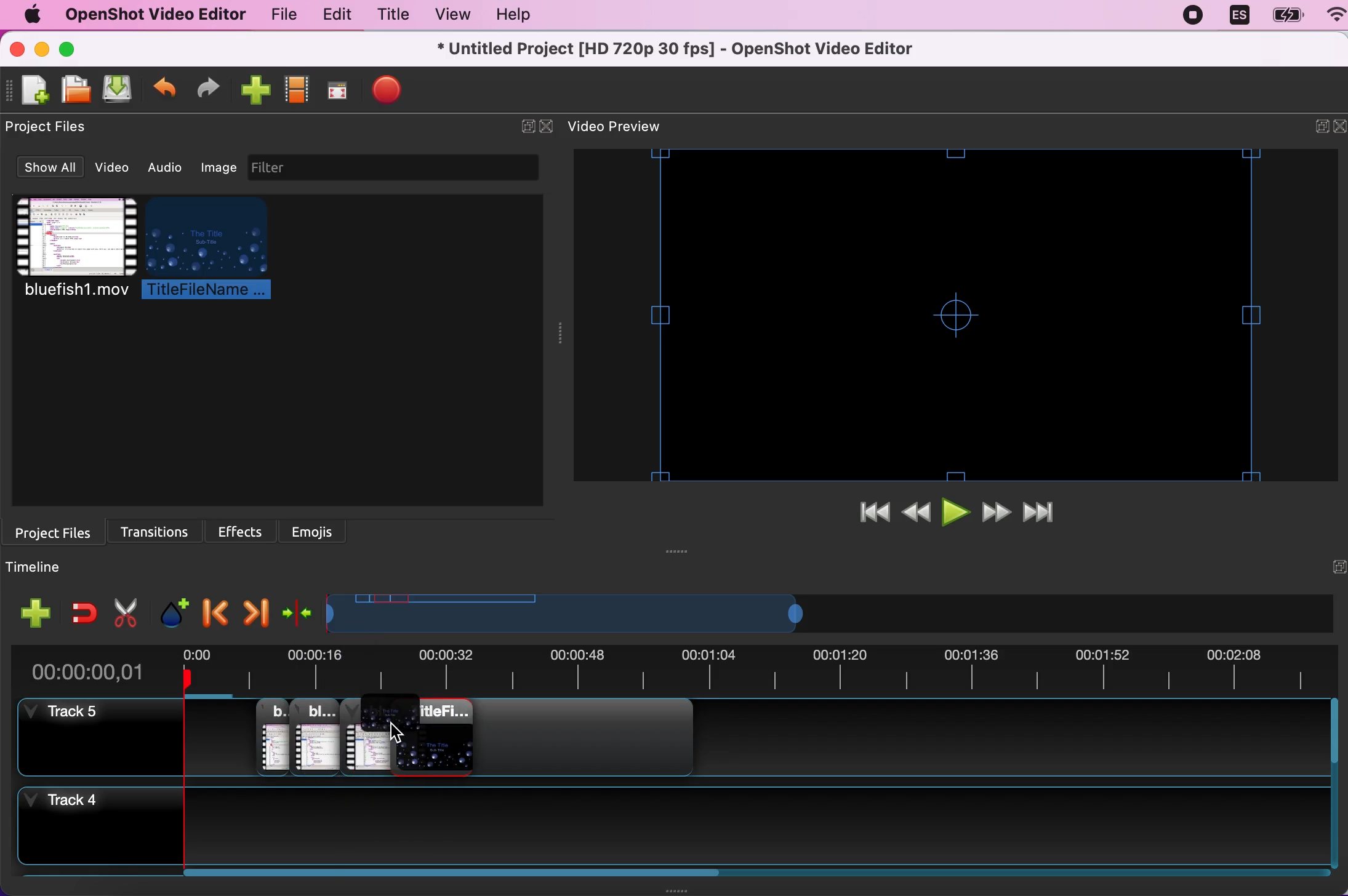  What do you see at coordinates (279, 17) in the screenshot?
I see `file` at bounding box center [279, 17].